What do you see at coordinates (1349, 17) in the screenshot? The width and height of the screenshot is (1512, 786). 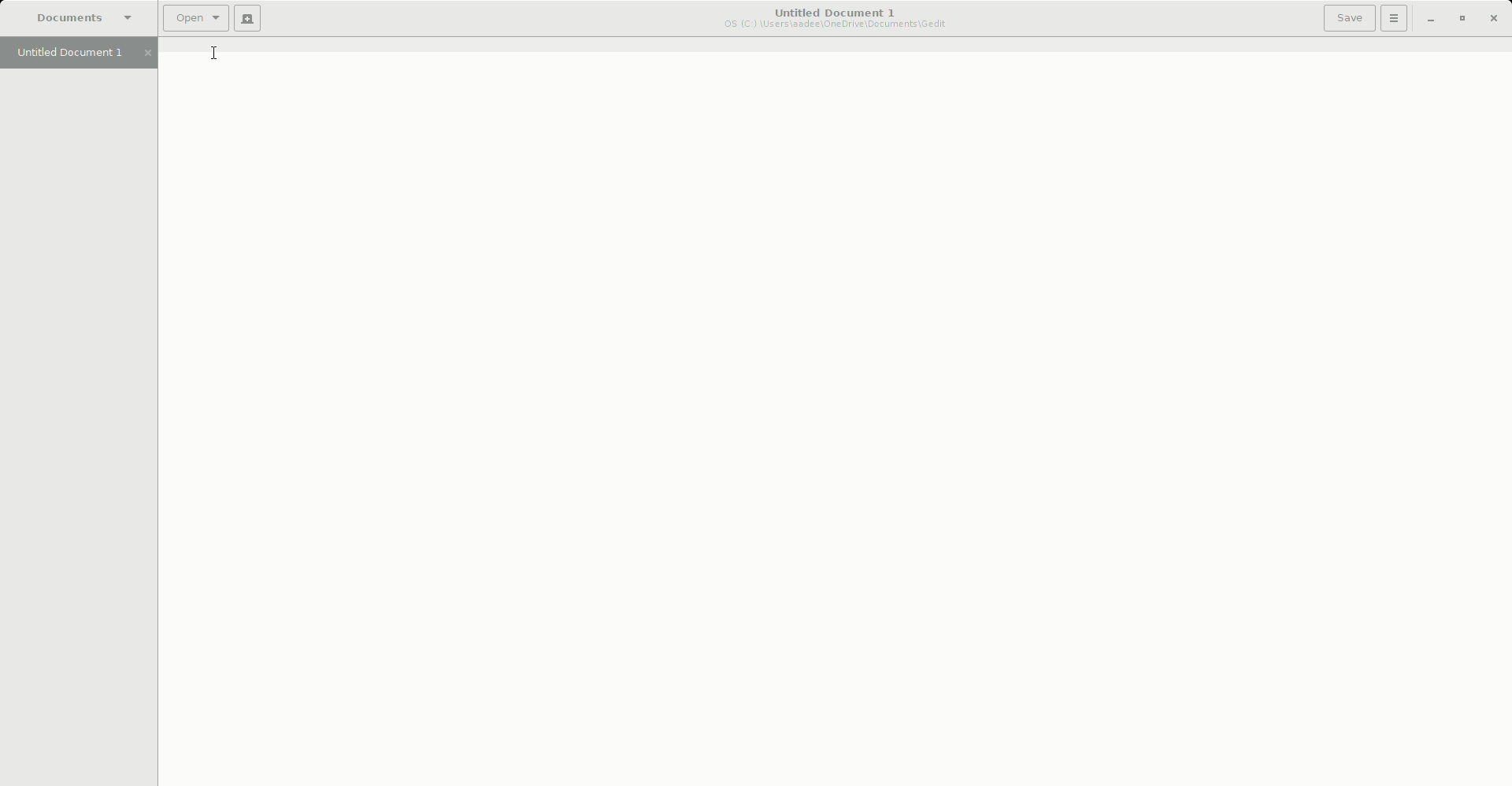 I see `Save` at bounding box center [1349, 17].